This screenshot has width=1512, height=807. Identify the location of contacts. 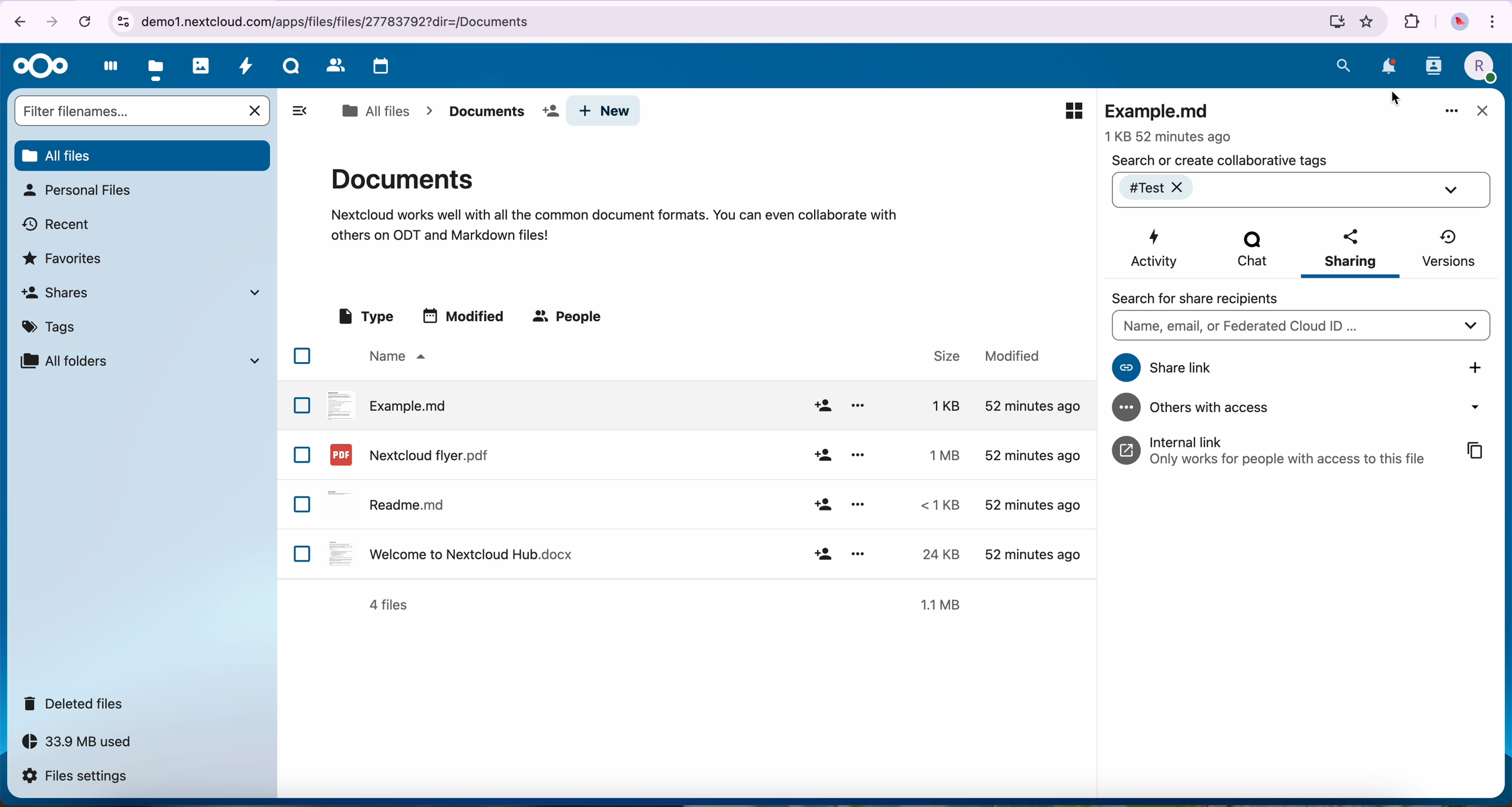
(333, 66).